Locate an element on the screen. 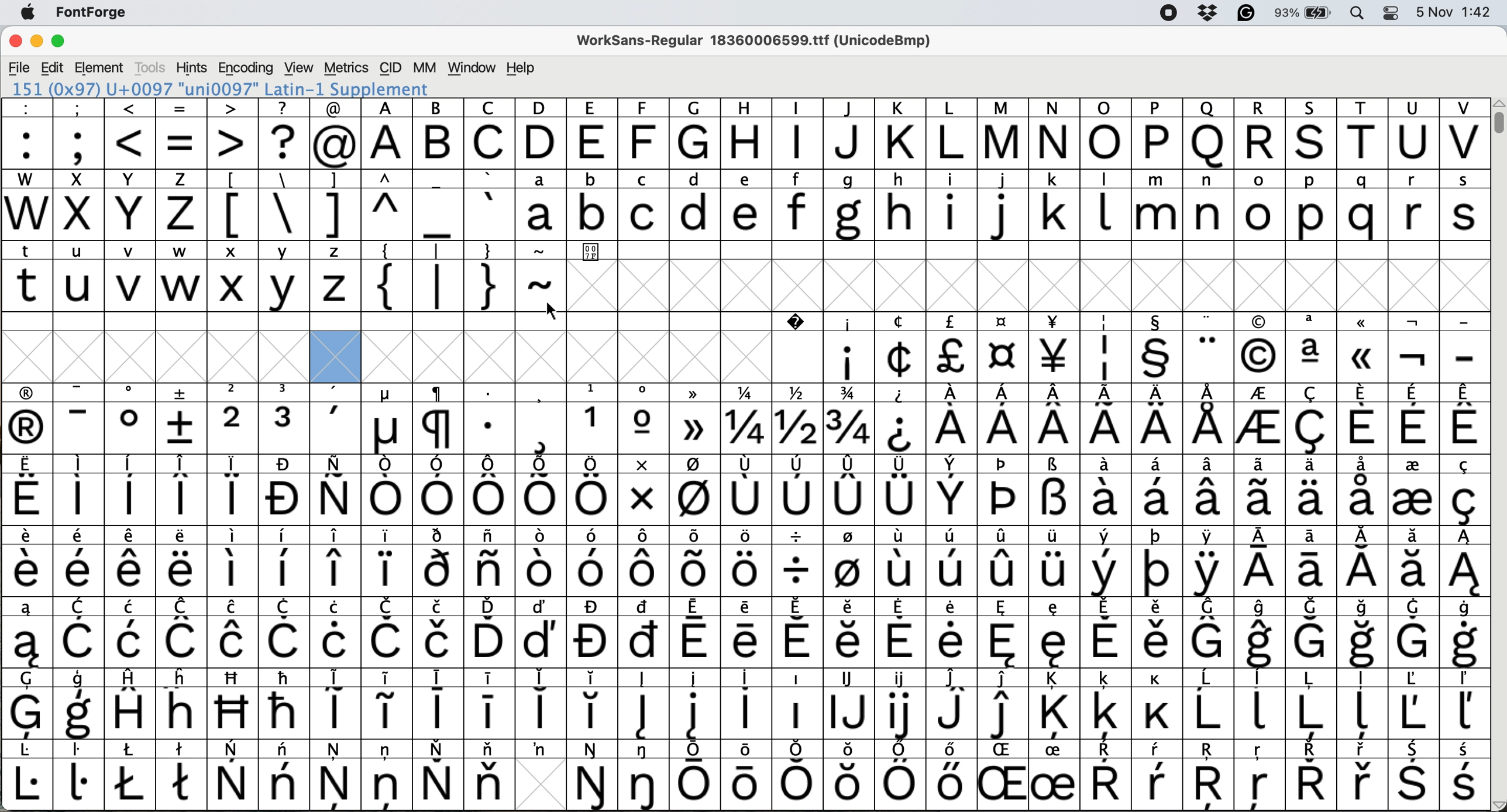 The width and height of the screenshot is (1507, 812). symbol is located at coordinates (1466, 776).